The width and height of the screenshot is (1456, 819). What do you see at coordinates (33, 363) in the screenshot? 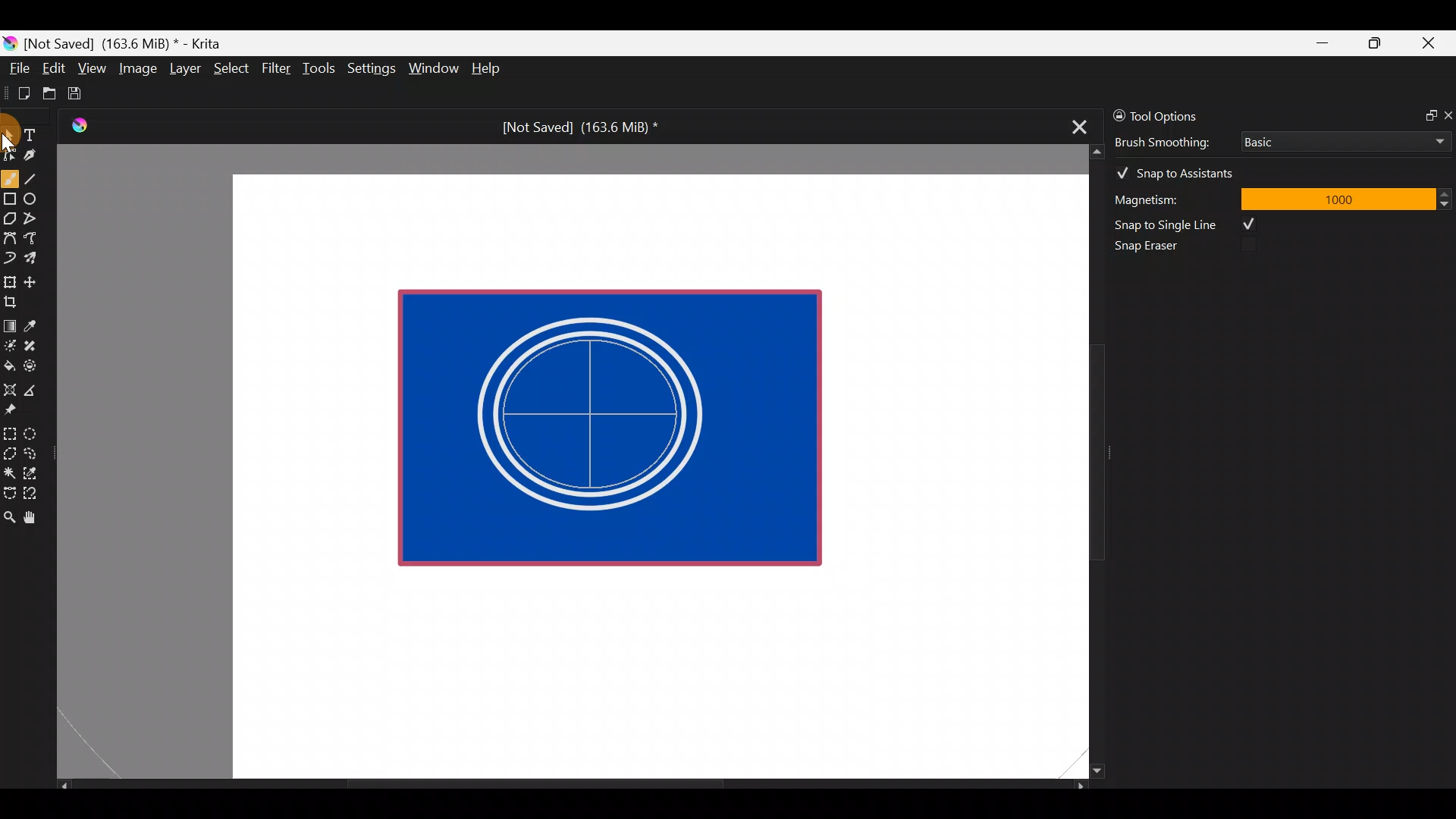
I see `Enclose & fill tool` at bounding box center [33, 363].